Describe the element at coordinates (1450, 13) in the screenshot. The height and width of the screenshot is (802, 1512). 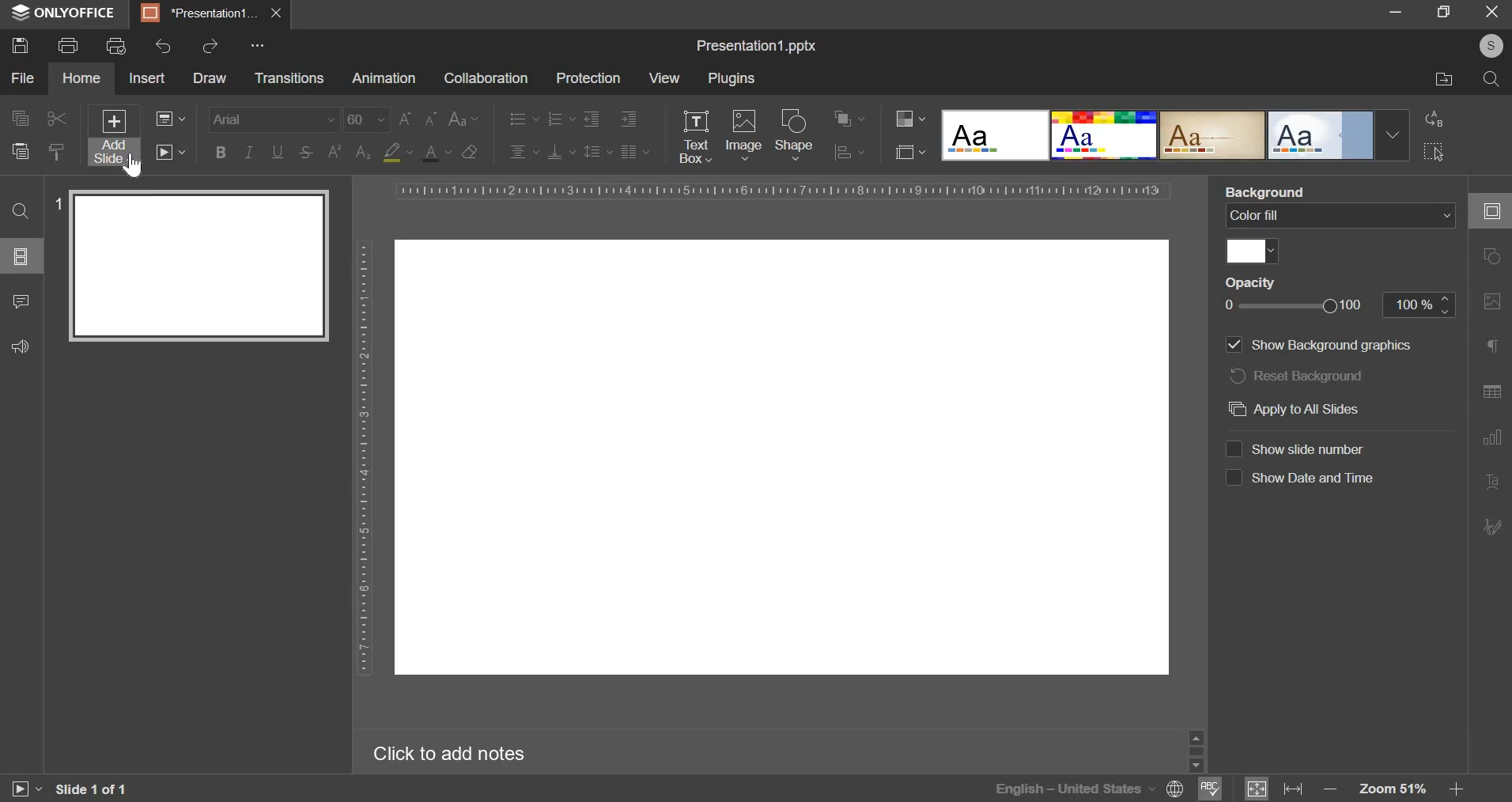
I see `full screen` at that location.